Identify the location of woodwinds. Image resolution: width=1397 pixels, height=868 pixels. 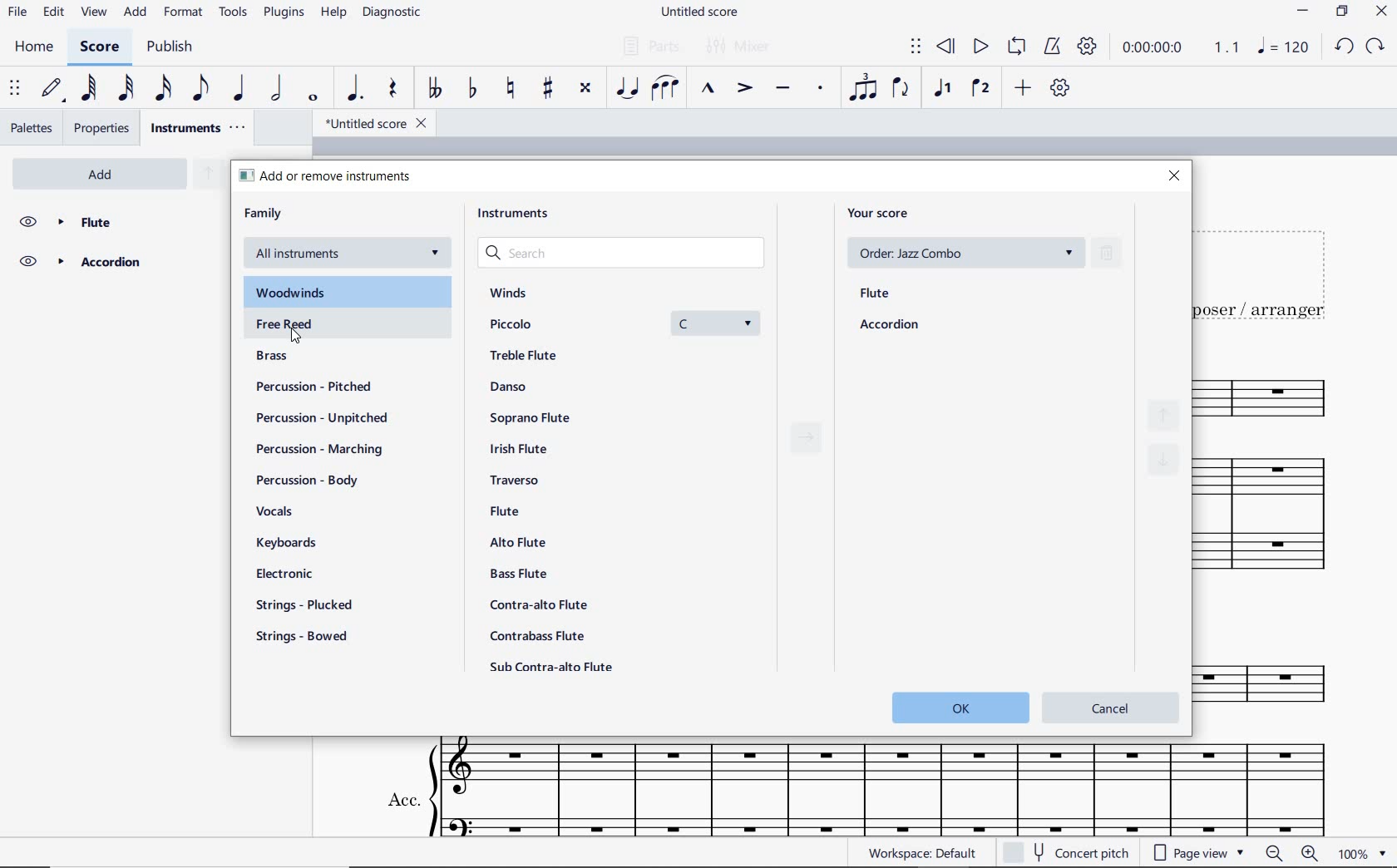
(296, 295).